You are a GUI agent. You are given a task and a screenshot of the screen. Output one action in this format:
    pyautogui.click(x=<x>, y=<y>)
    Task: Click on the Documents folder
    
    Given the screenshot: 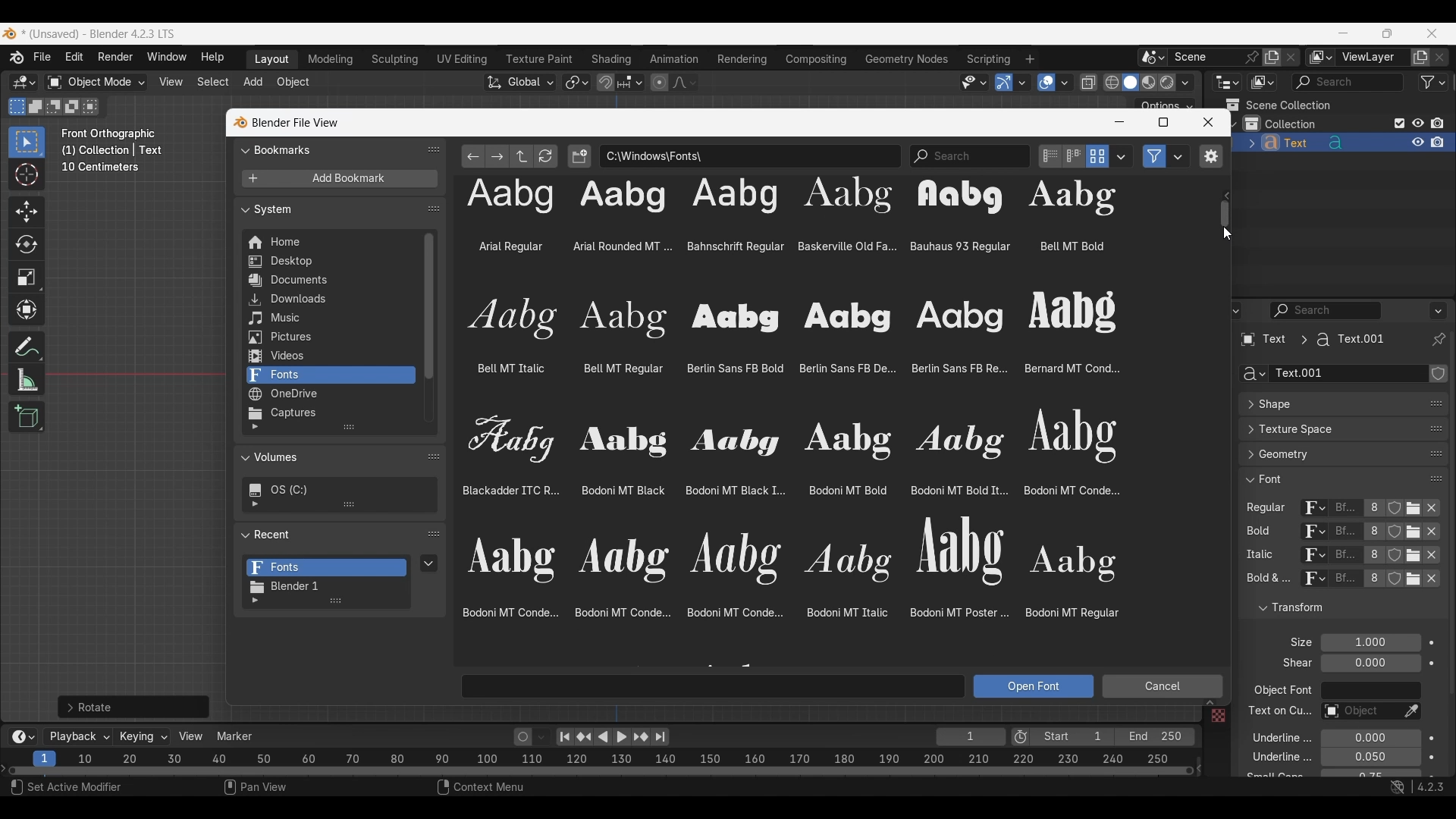 What is the action you would take?
    pyautogui.click(x=329, y=281)
    